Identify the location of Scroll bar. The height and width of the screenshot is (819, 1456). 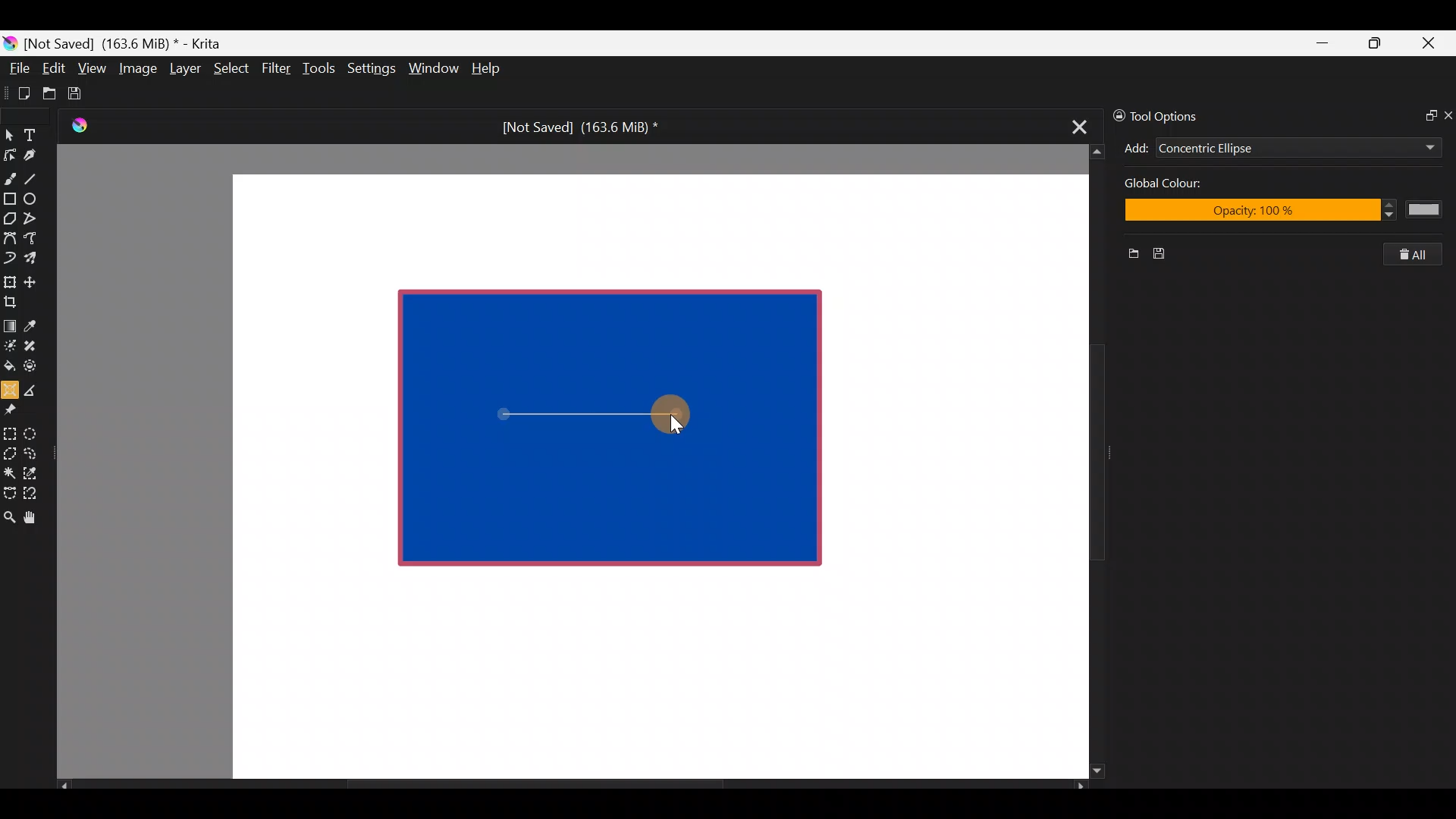
(572, 786).